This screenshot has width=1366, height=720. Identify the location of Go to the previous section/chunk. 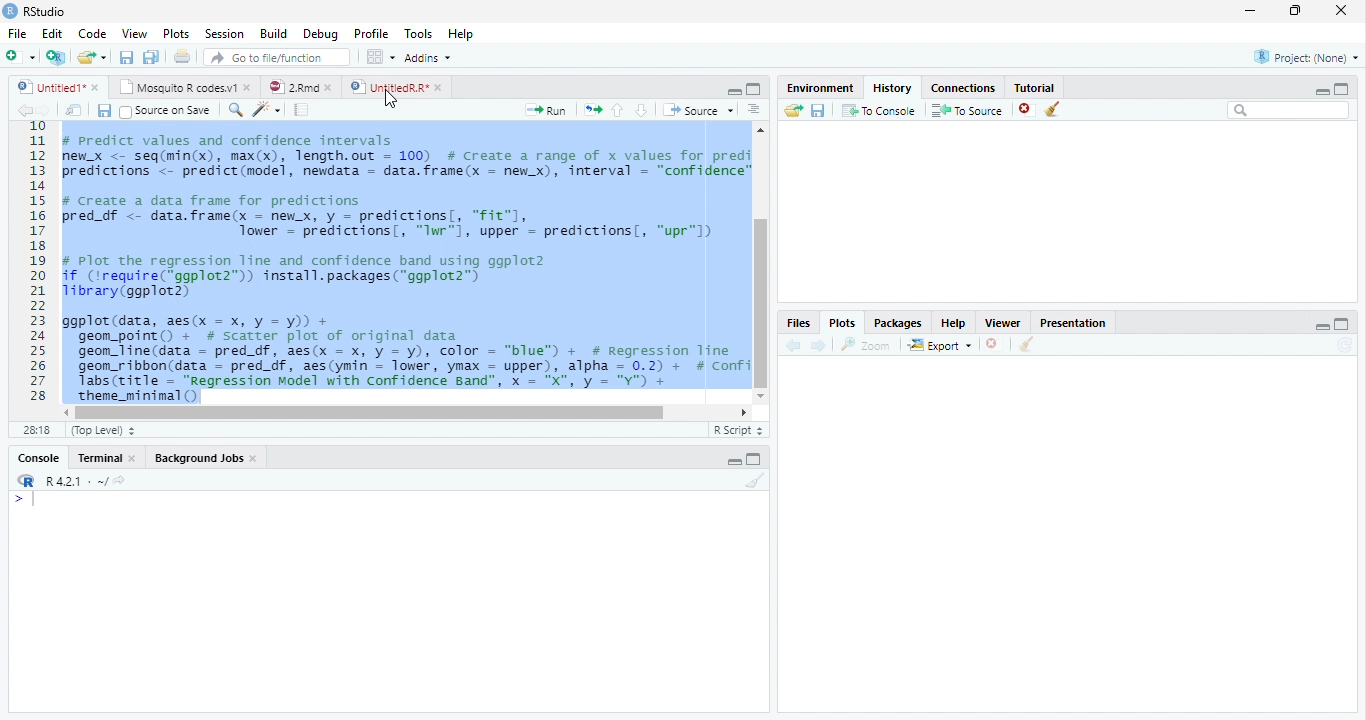
(618, 114).